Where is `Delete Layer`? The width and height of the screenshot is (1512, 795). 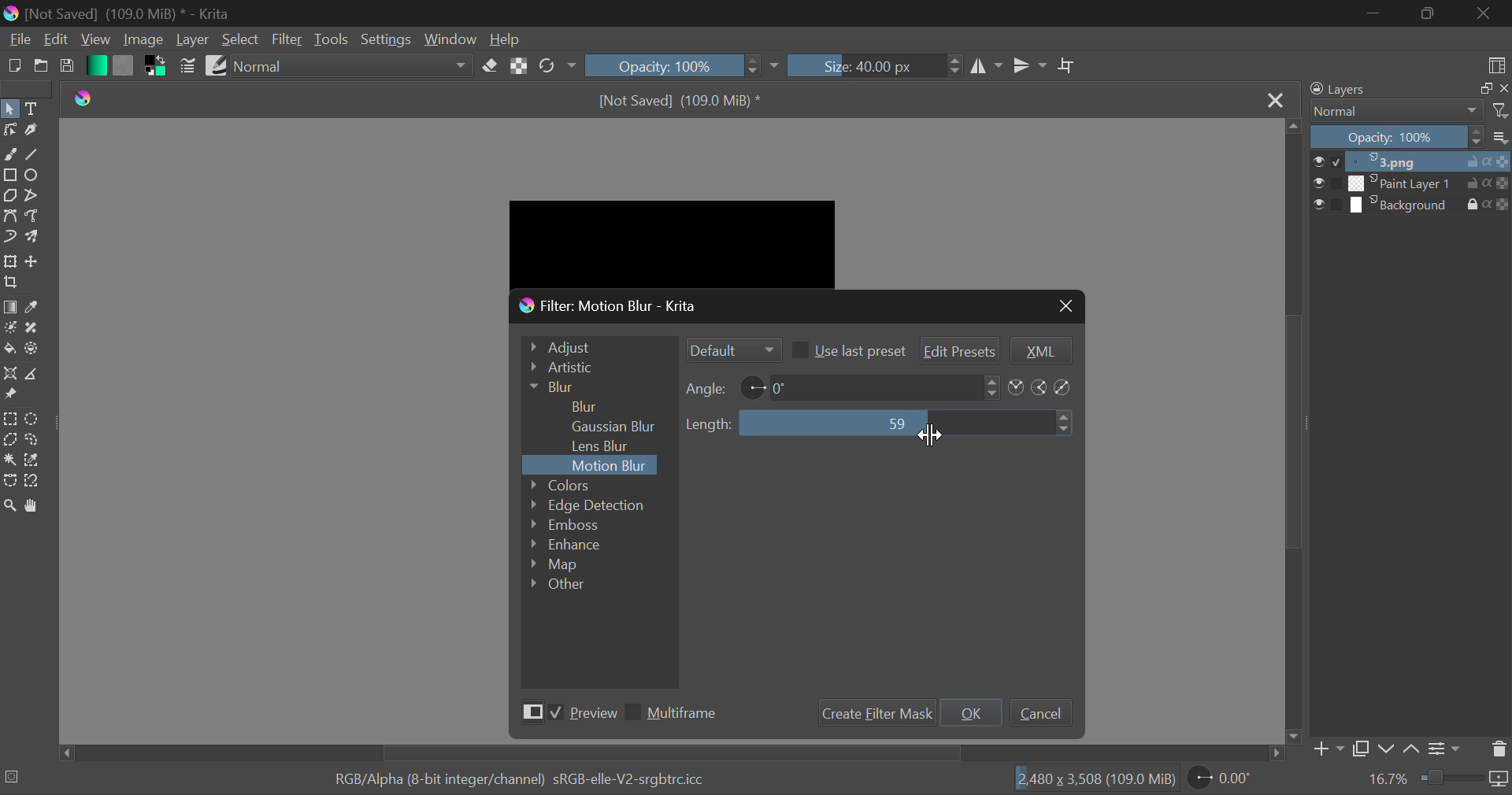 Delete Layer is located at coordinates (1498, 749).